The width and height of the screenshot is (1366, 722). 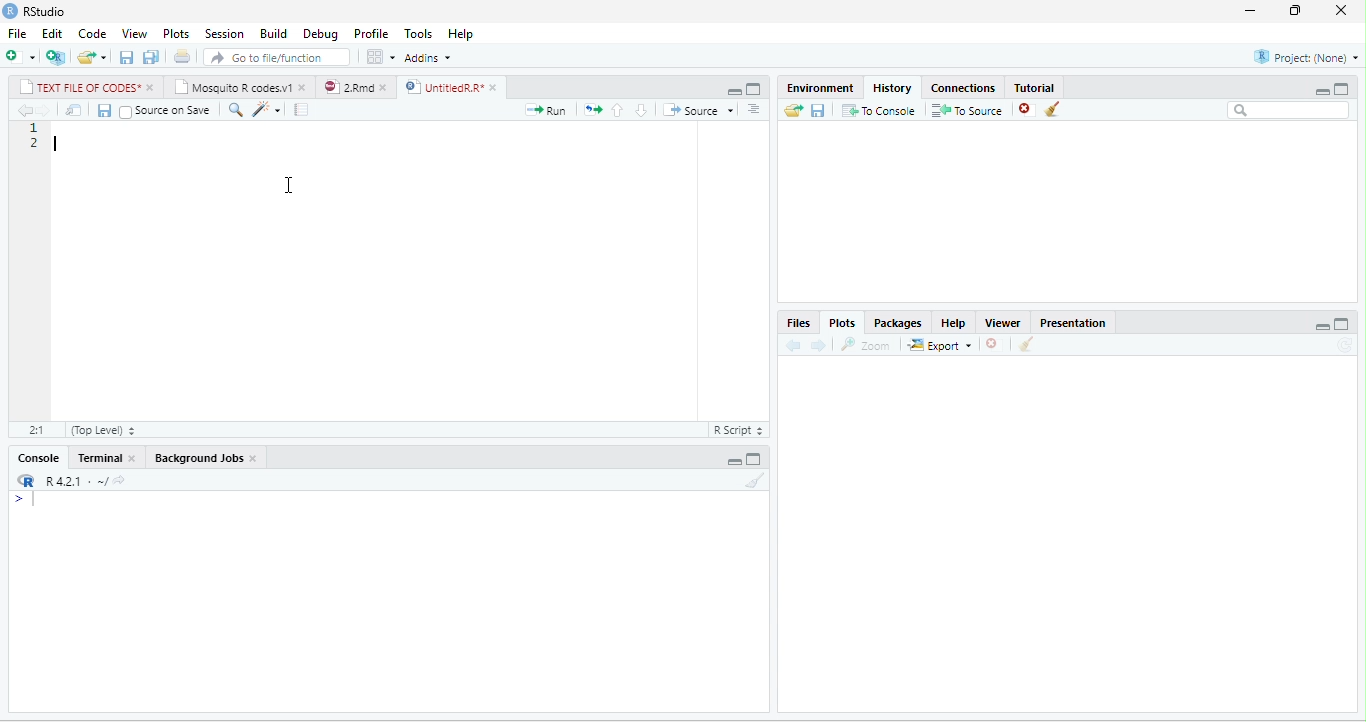 What do you see at coordinates (290, 186) in the screenshot?
I see `cursor` at bounding box center [290, 186].